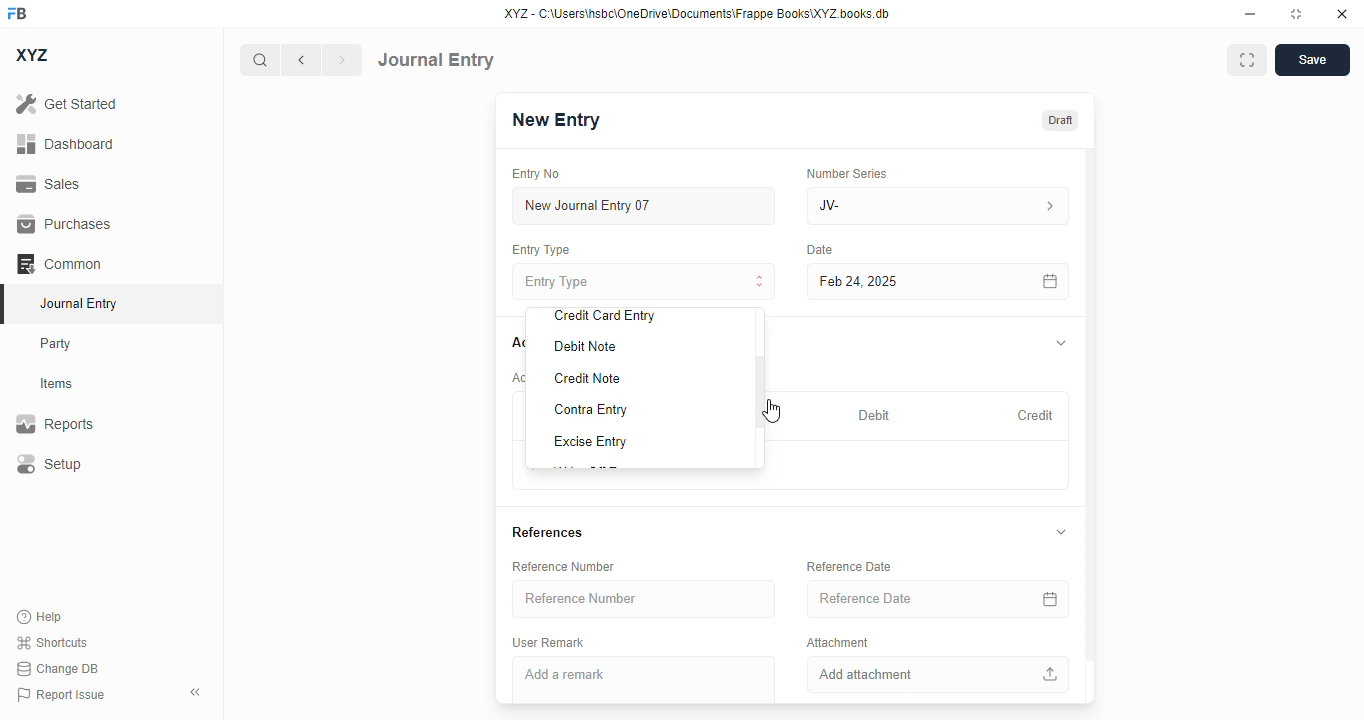 Image resolution: width=1364 pixels, height=720 pixels. I want to click on setup, so click(49, 463).